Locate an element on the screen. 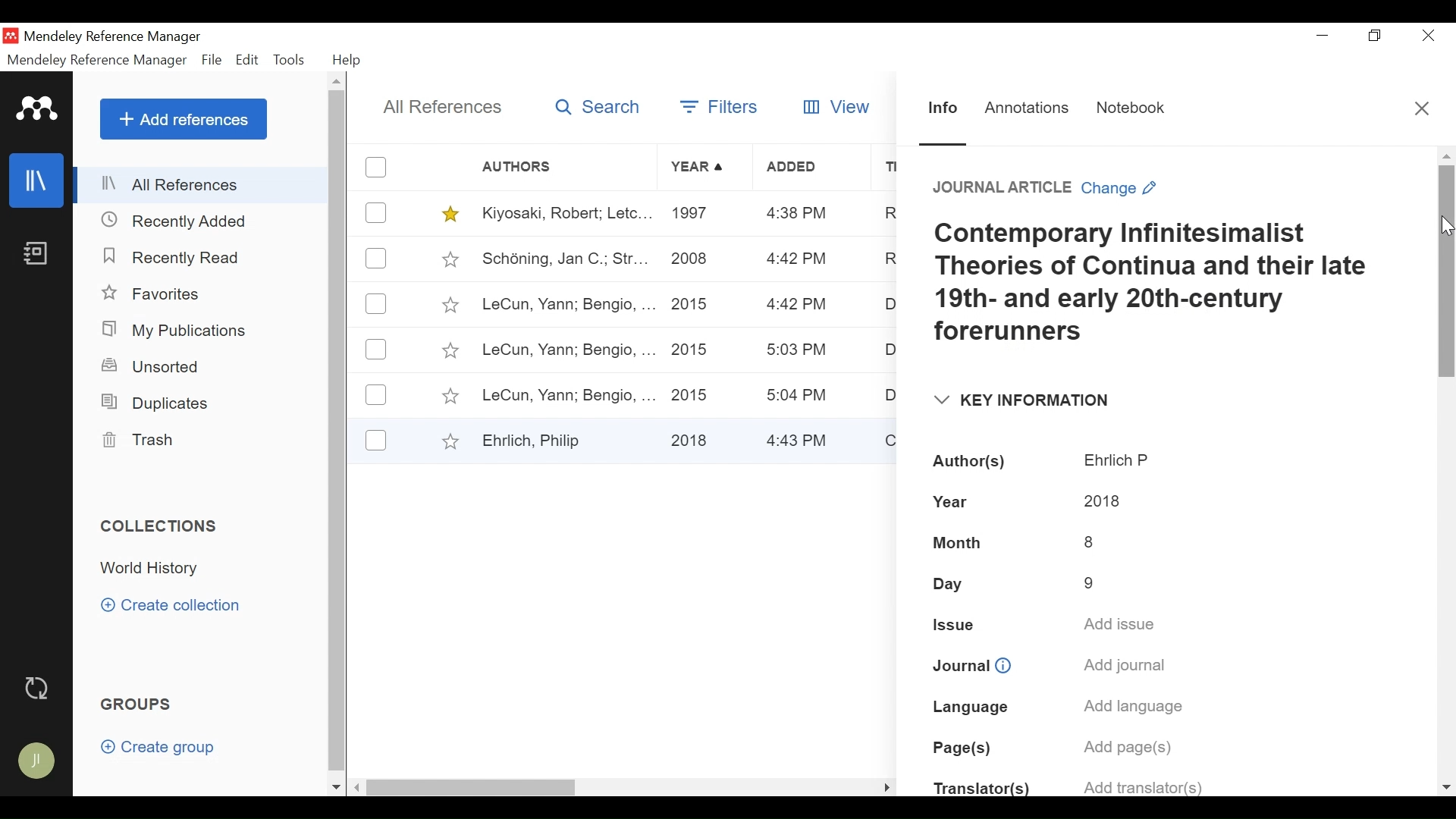 The height and width of the screenshot is (819, 1456). Close is located at coordinates (1425, 36).